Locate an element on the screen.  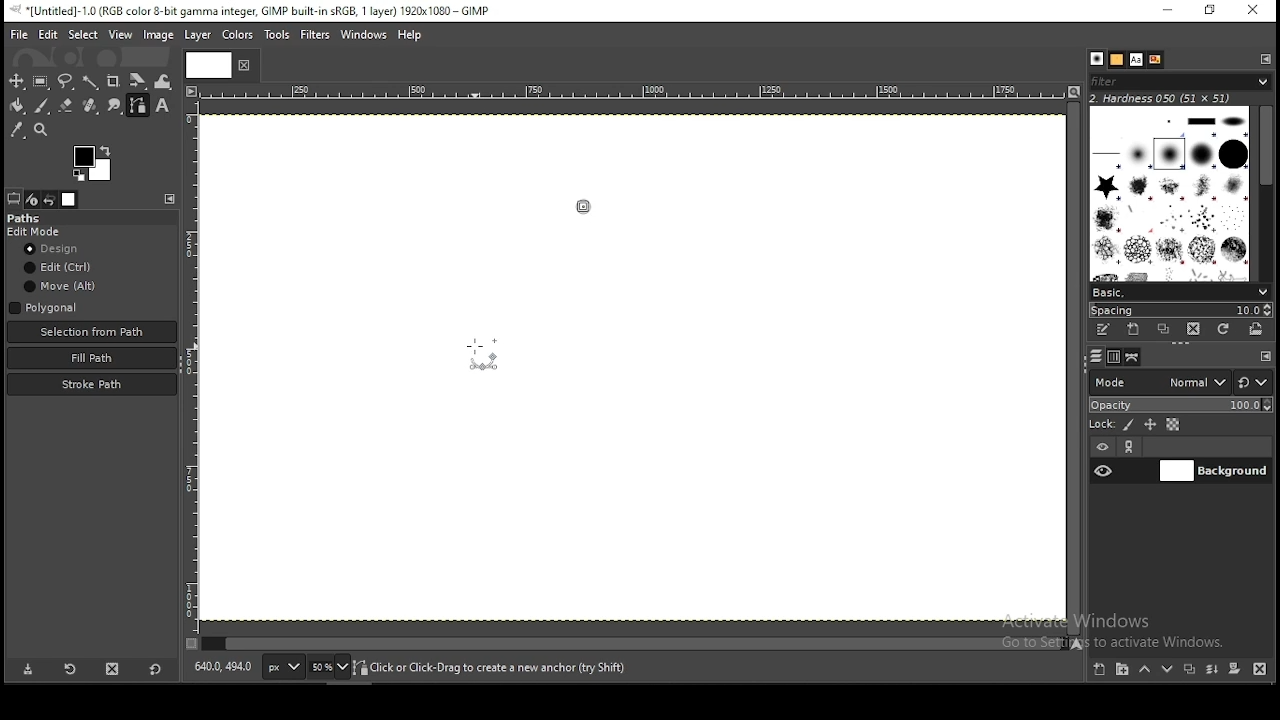
duplicate this brush is located at coordinates (1164, 329).